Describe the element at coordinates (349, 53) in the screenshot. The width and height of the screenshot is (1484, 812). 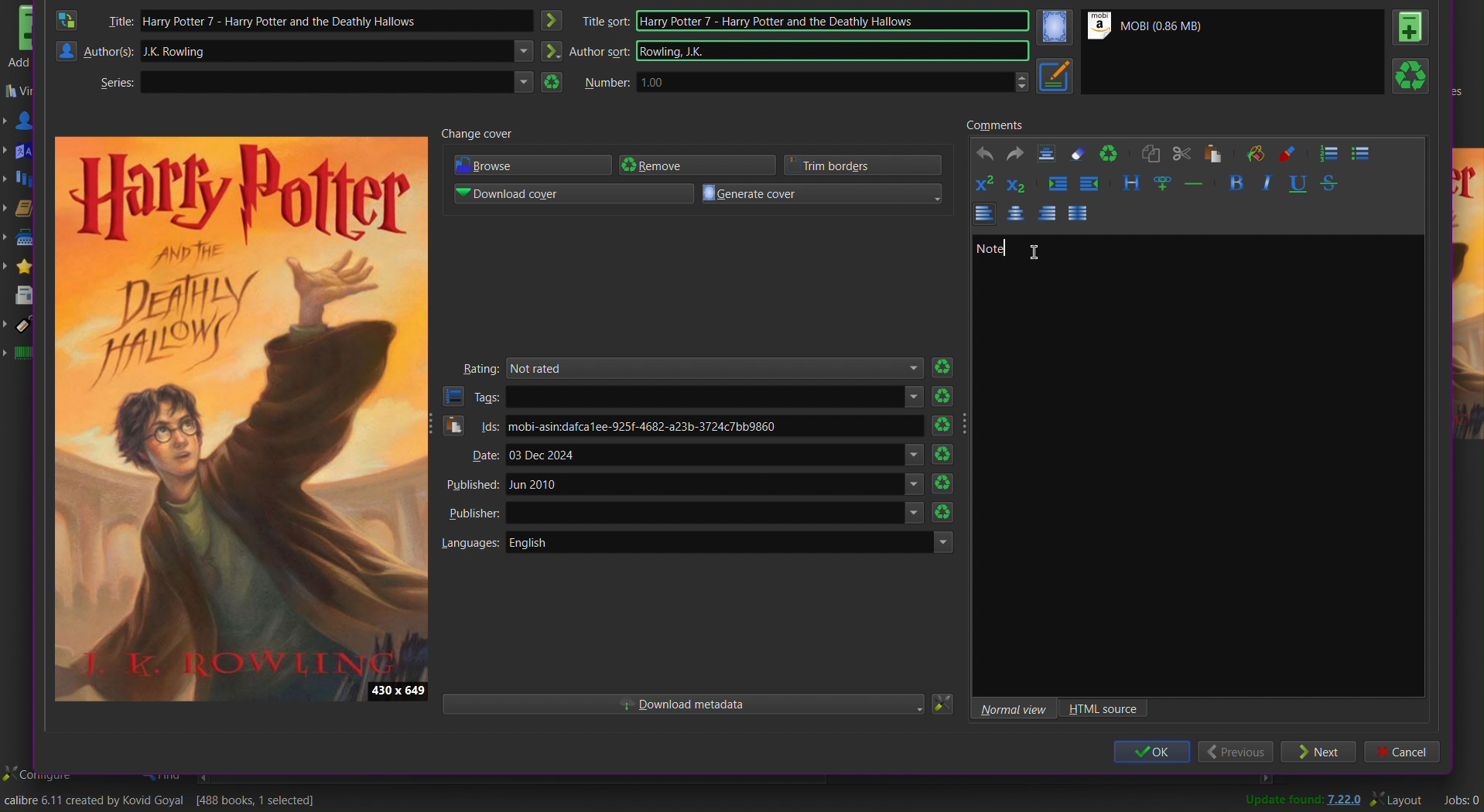
I see `JK Rawling` at that location.